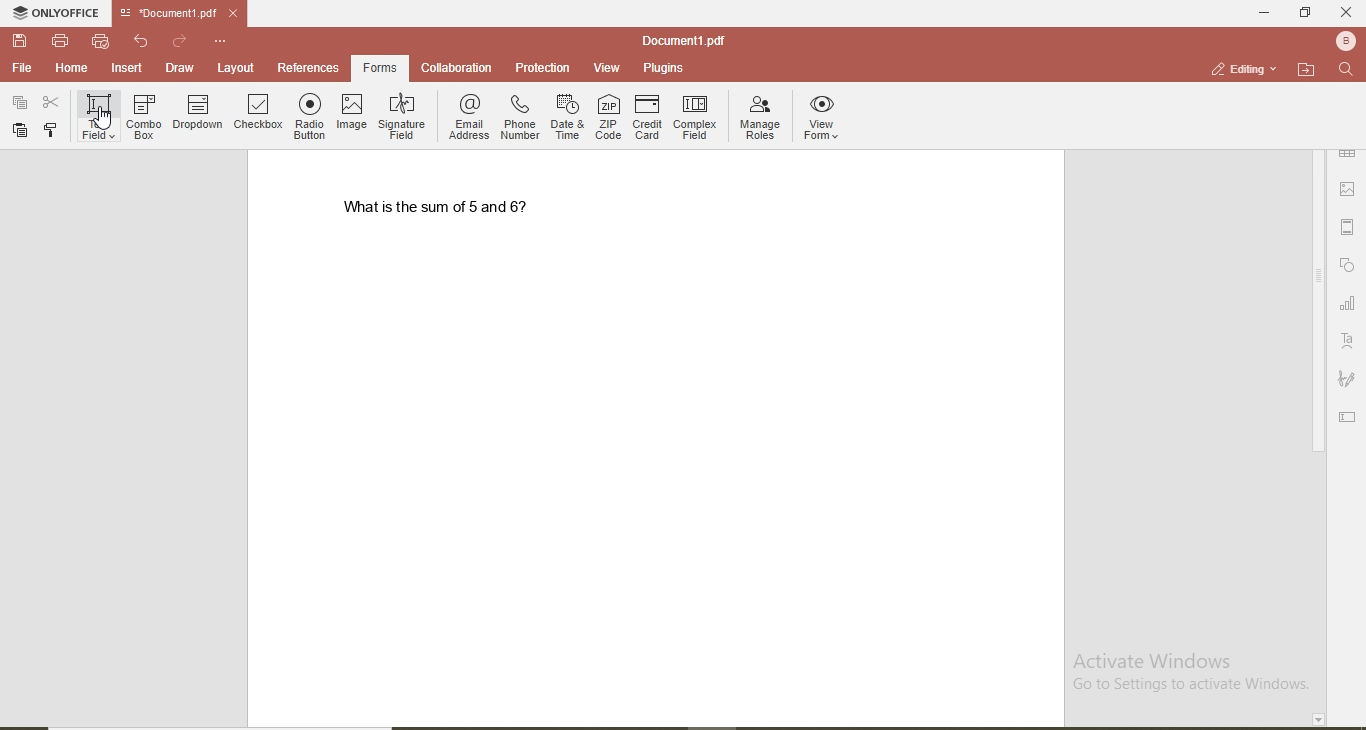 This screenshot has width=1366, height=730. What do you see at coordinates (98, 115) in the screenshot?
I see `text field` at bounding box center [98, 115].